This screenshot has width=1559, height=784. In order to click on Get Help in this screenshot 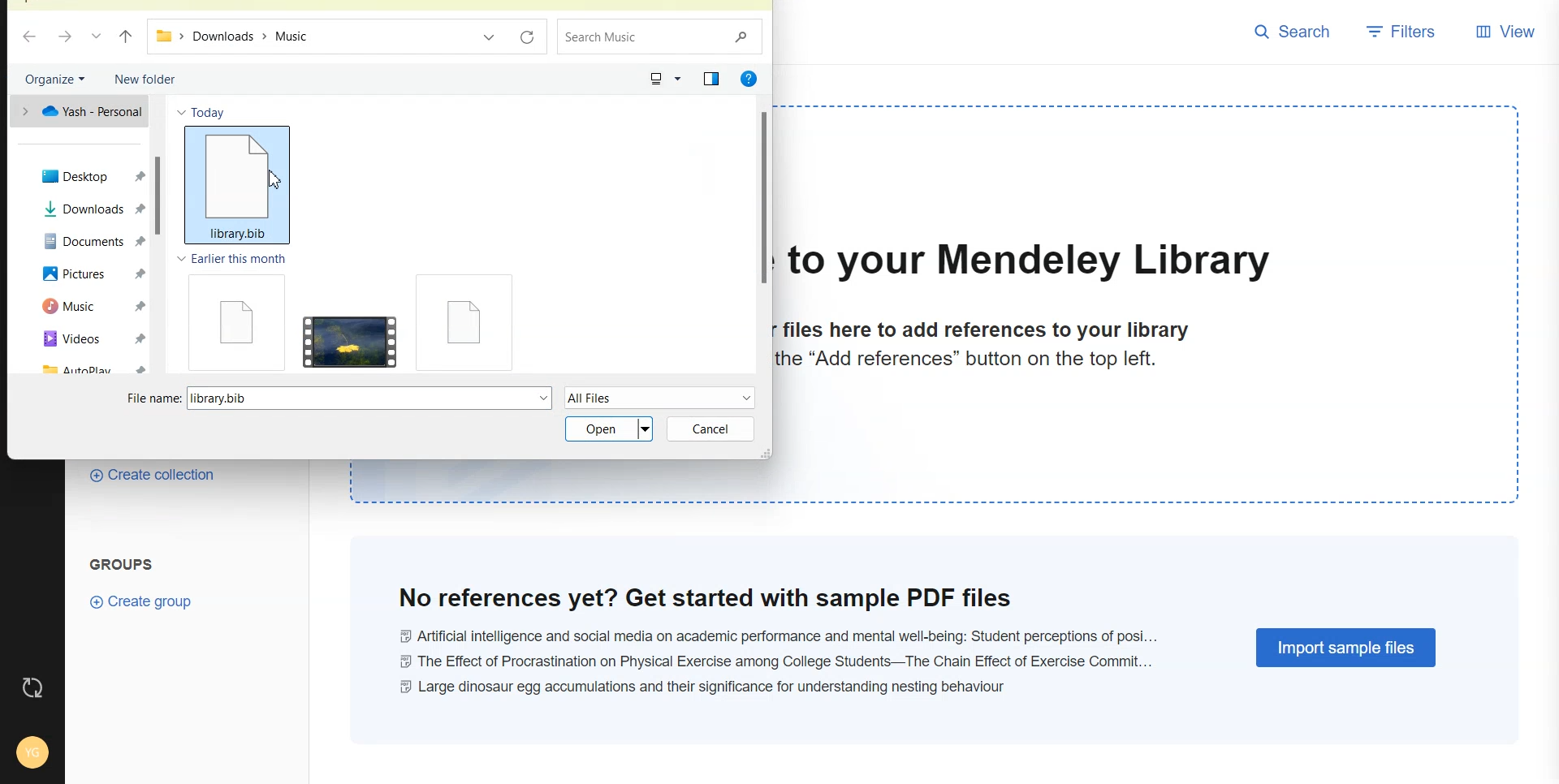, I will do `click(750, 79)`.